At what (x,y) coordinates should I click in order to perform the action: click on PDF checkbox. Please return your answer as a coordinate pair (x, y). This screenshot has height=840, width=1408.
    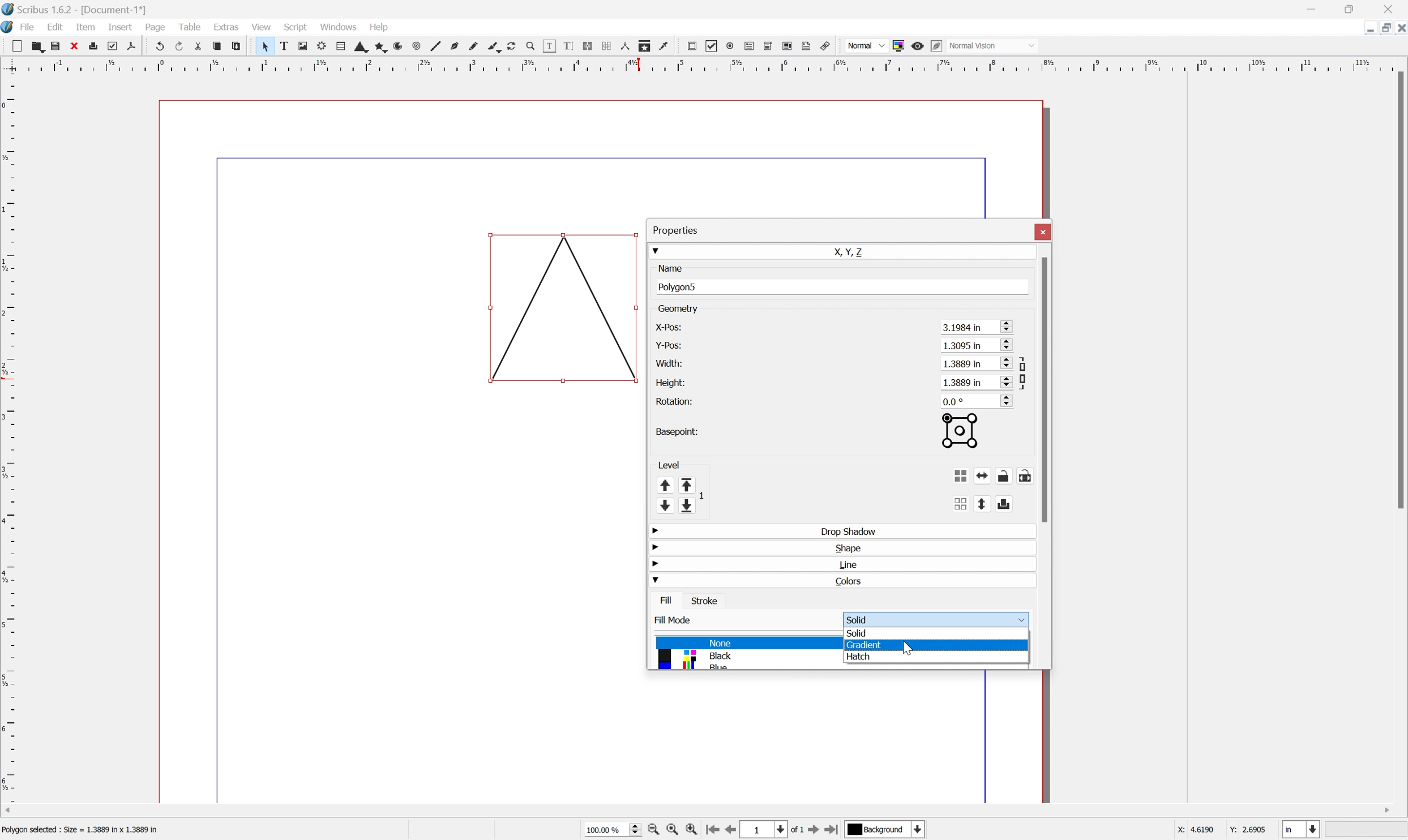
    Looking at the image, I should click on (712, 44).